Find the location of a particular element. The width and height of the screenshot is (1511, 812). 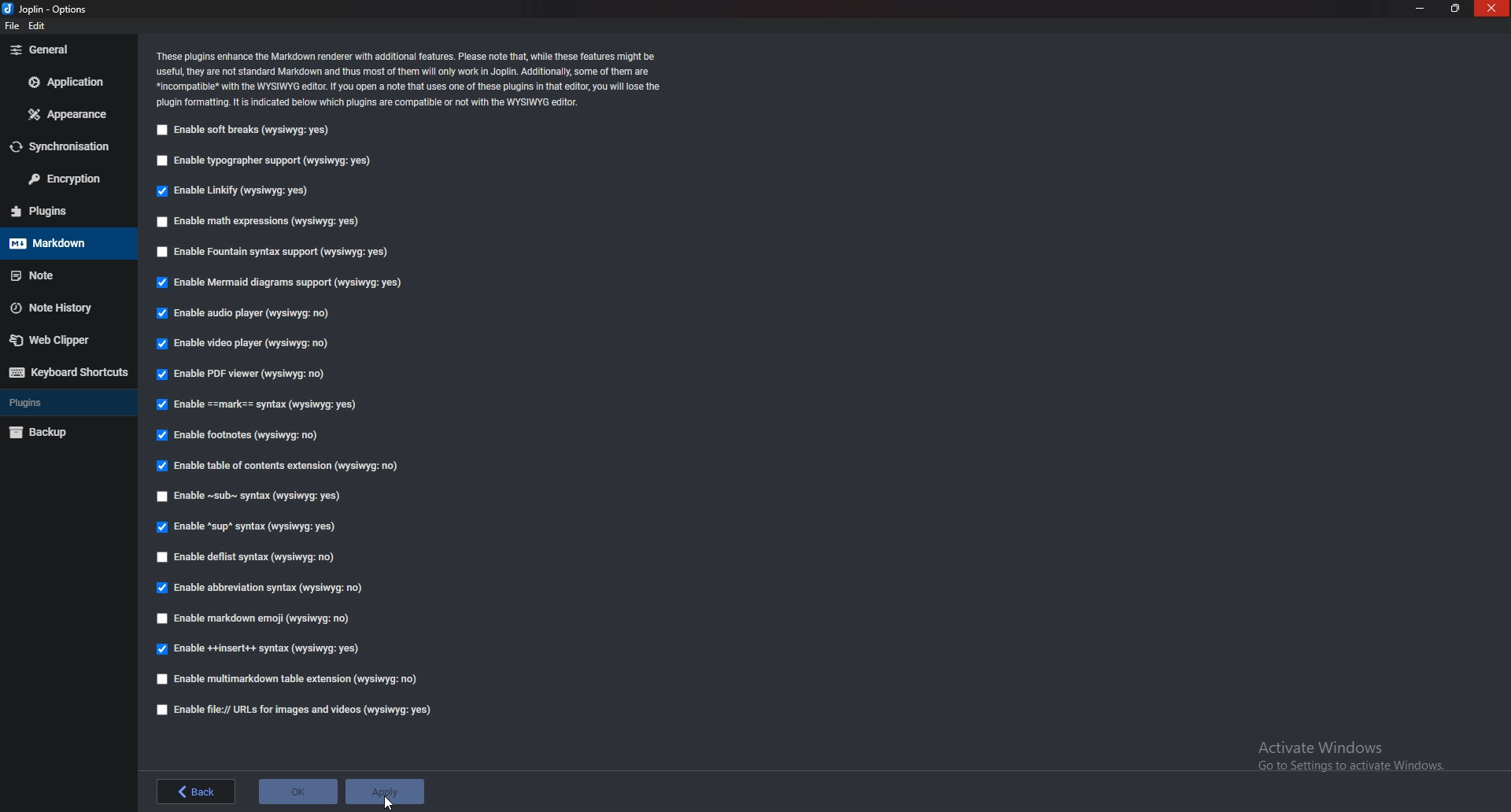

Enable sup syntax is located at coordinates (246, 526).